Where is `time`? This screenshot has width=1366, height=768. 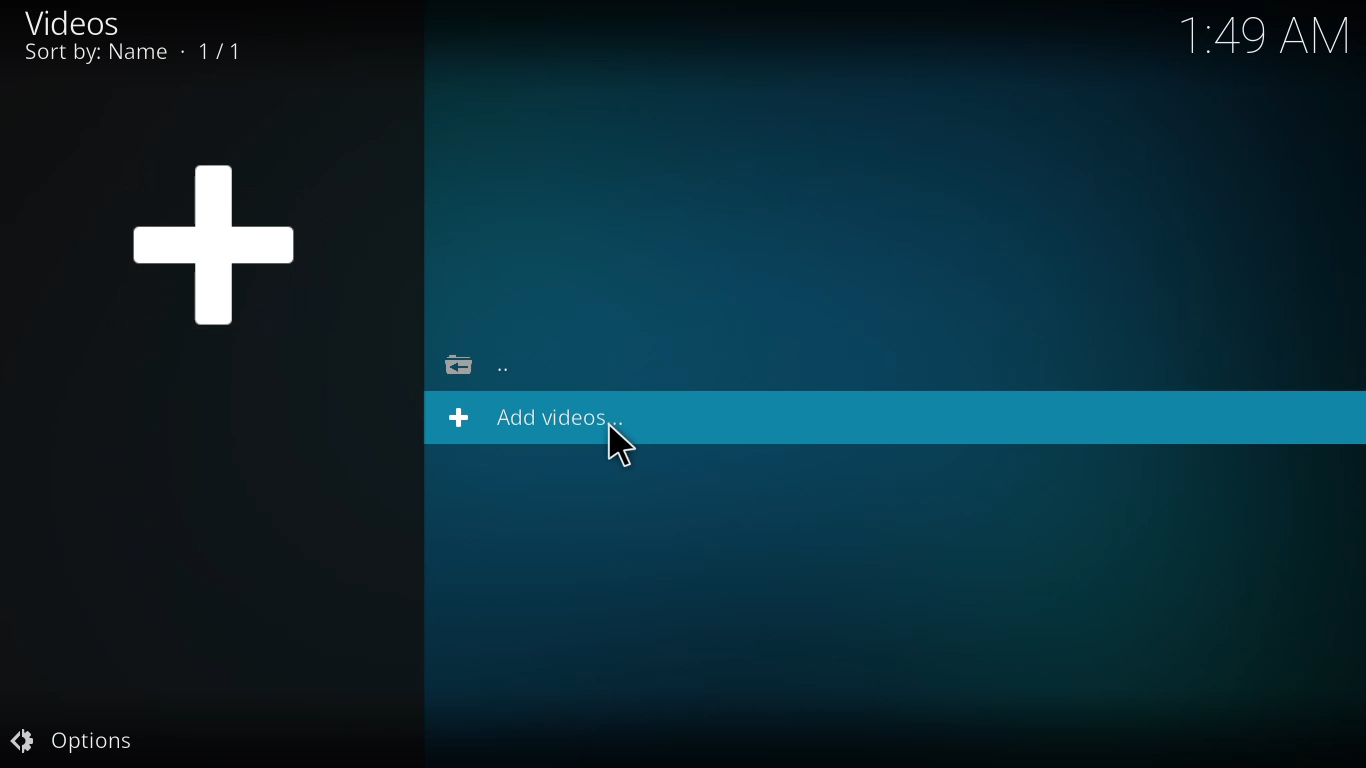 time is located at coordinates (1265, 40).